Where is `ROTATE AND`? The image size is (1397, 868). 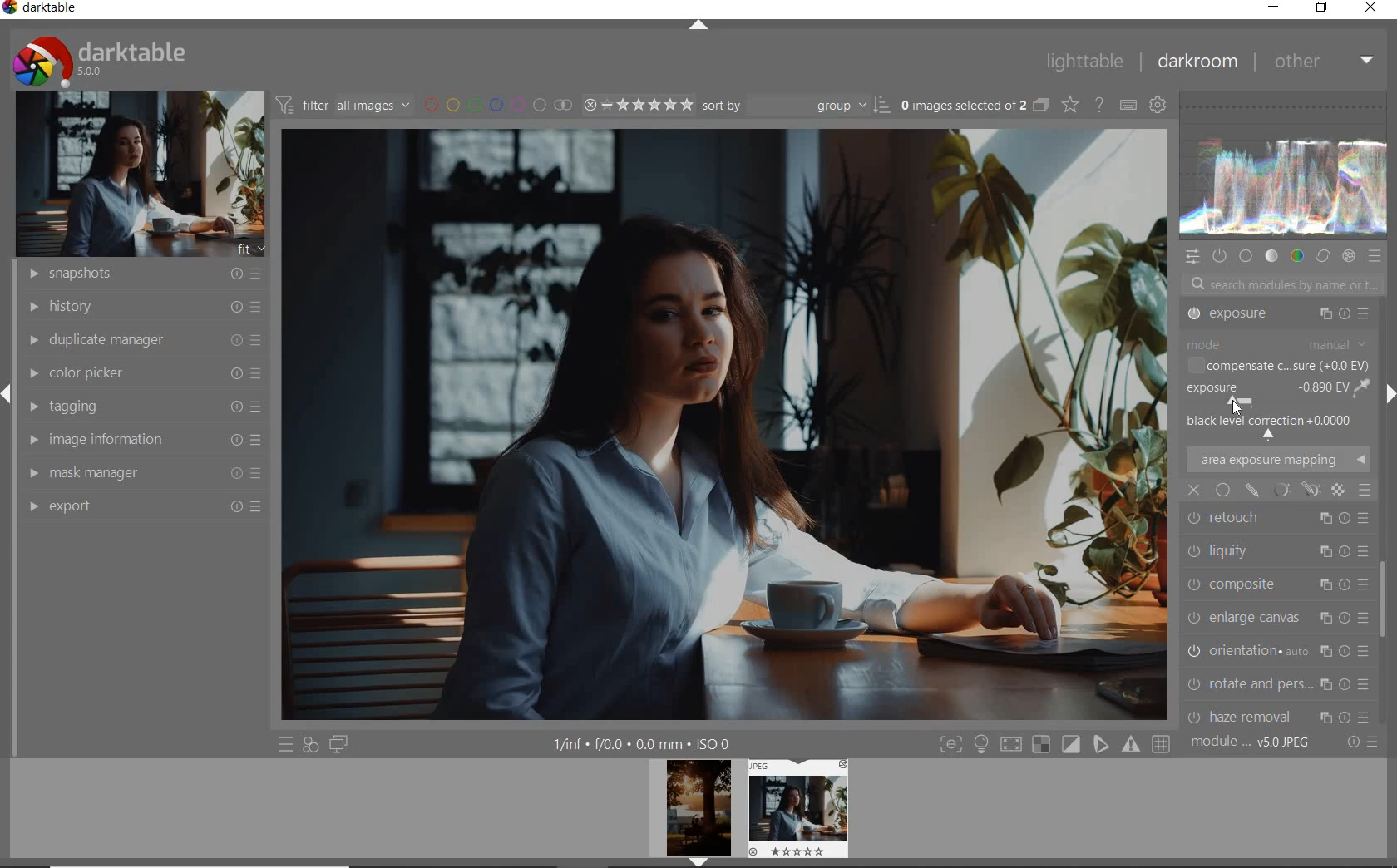 ROTATE AND is located at coordinates (1275, 582).